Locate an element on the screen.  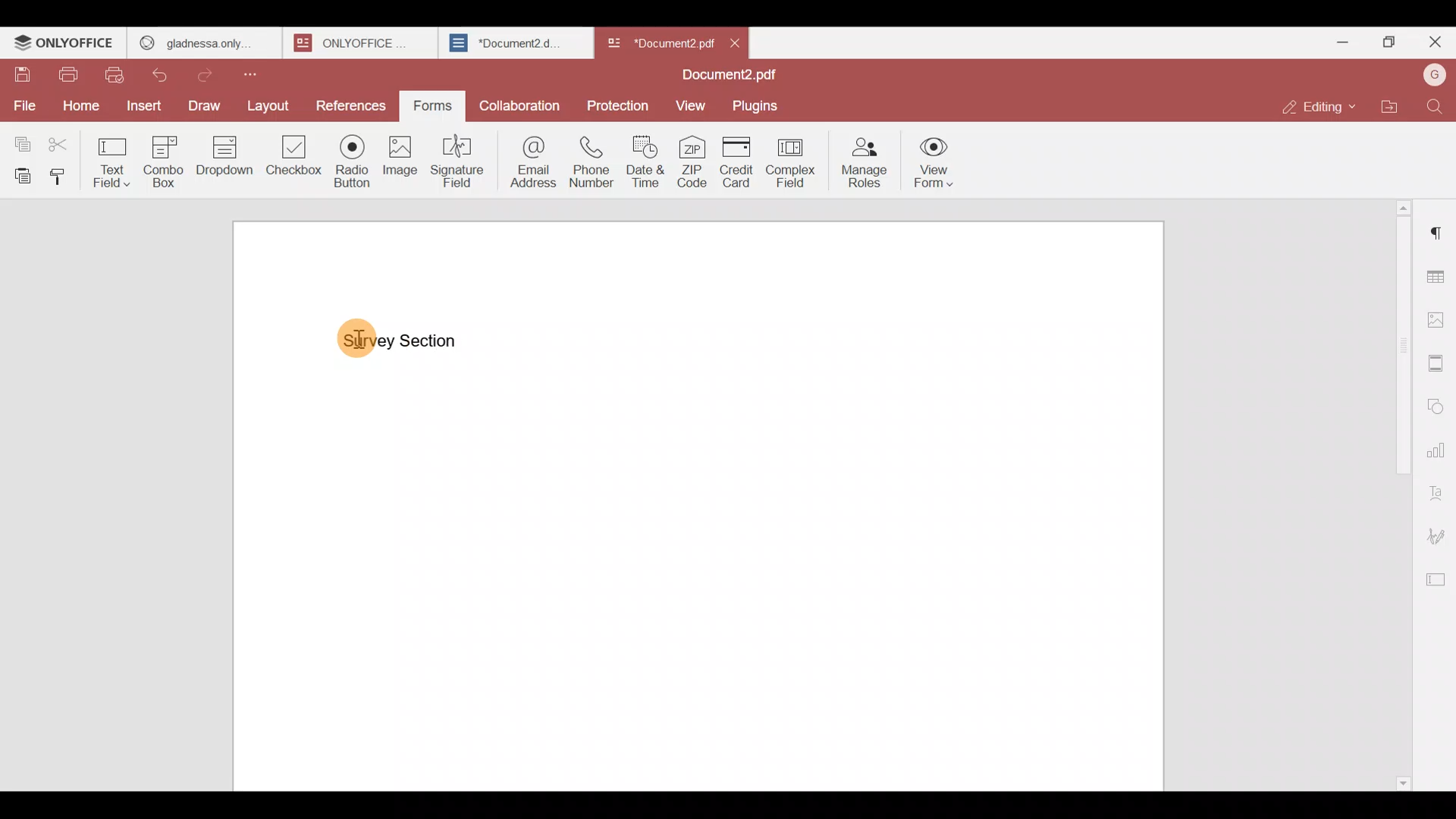
Copy is located at coordinates (22, 137).